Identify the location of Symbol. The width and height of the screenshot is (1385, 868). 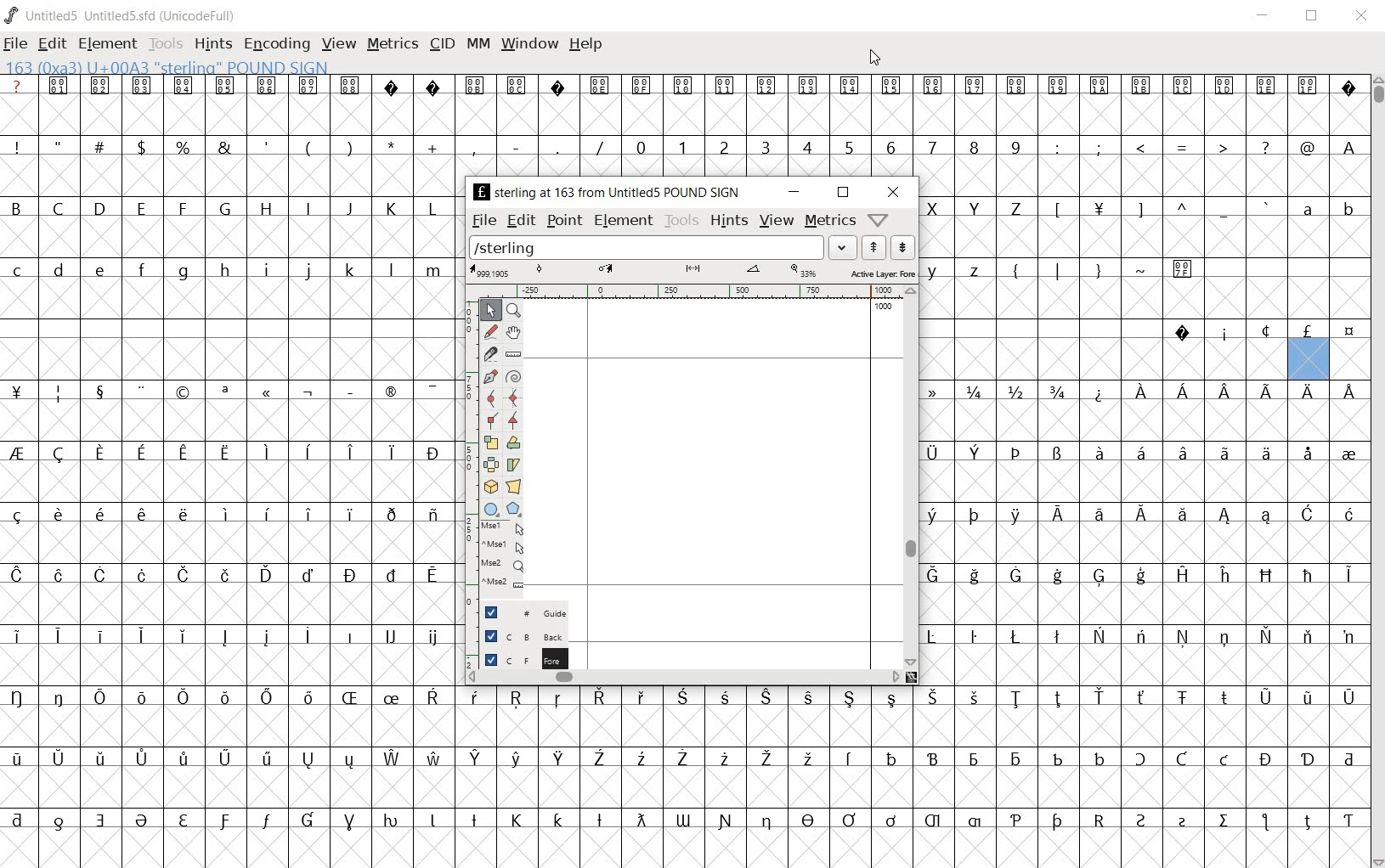
(644, 86).